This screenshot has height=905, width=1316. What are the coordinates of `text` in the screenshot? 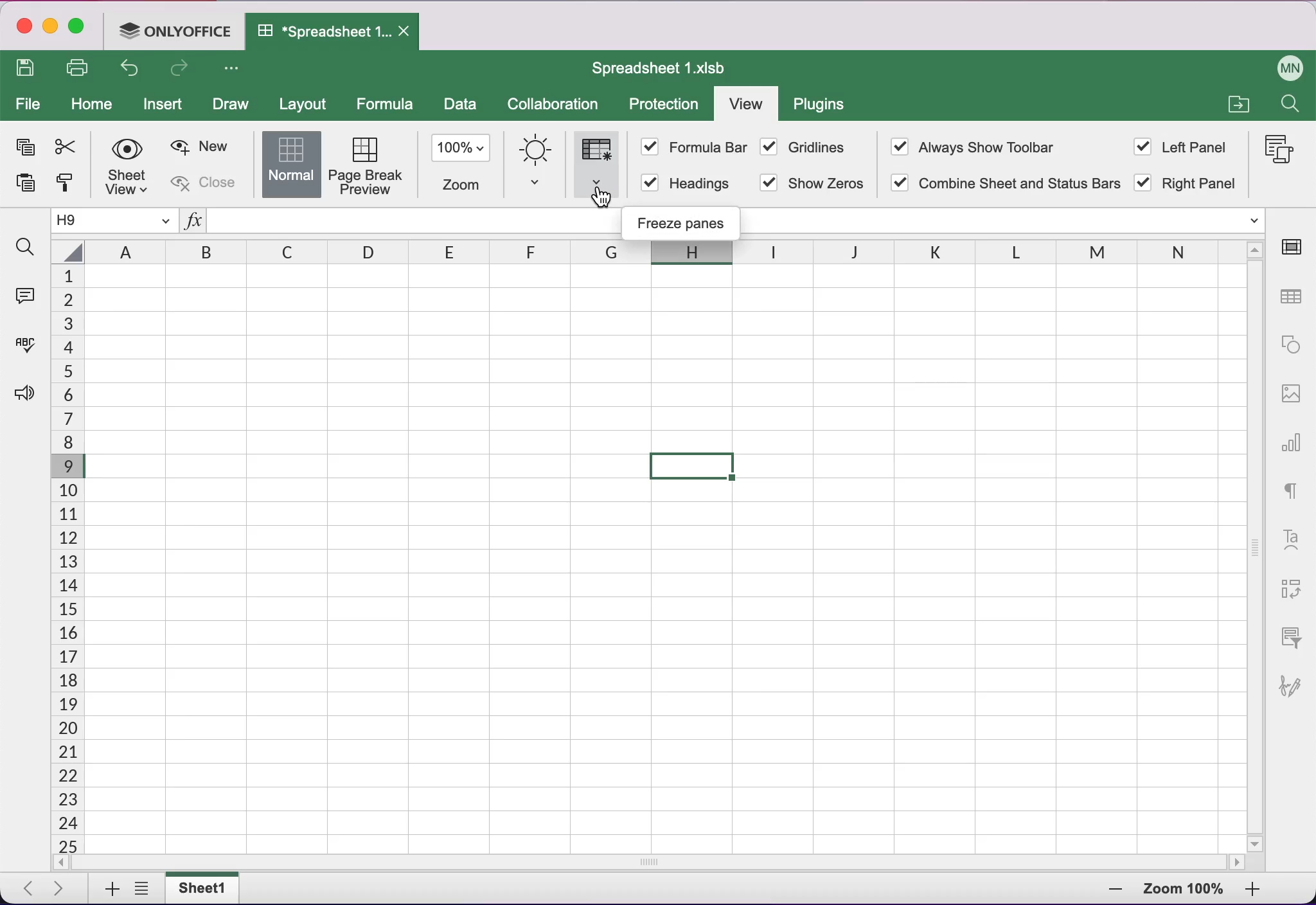 It's located at (1295, 491).